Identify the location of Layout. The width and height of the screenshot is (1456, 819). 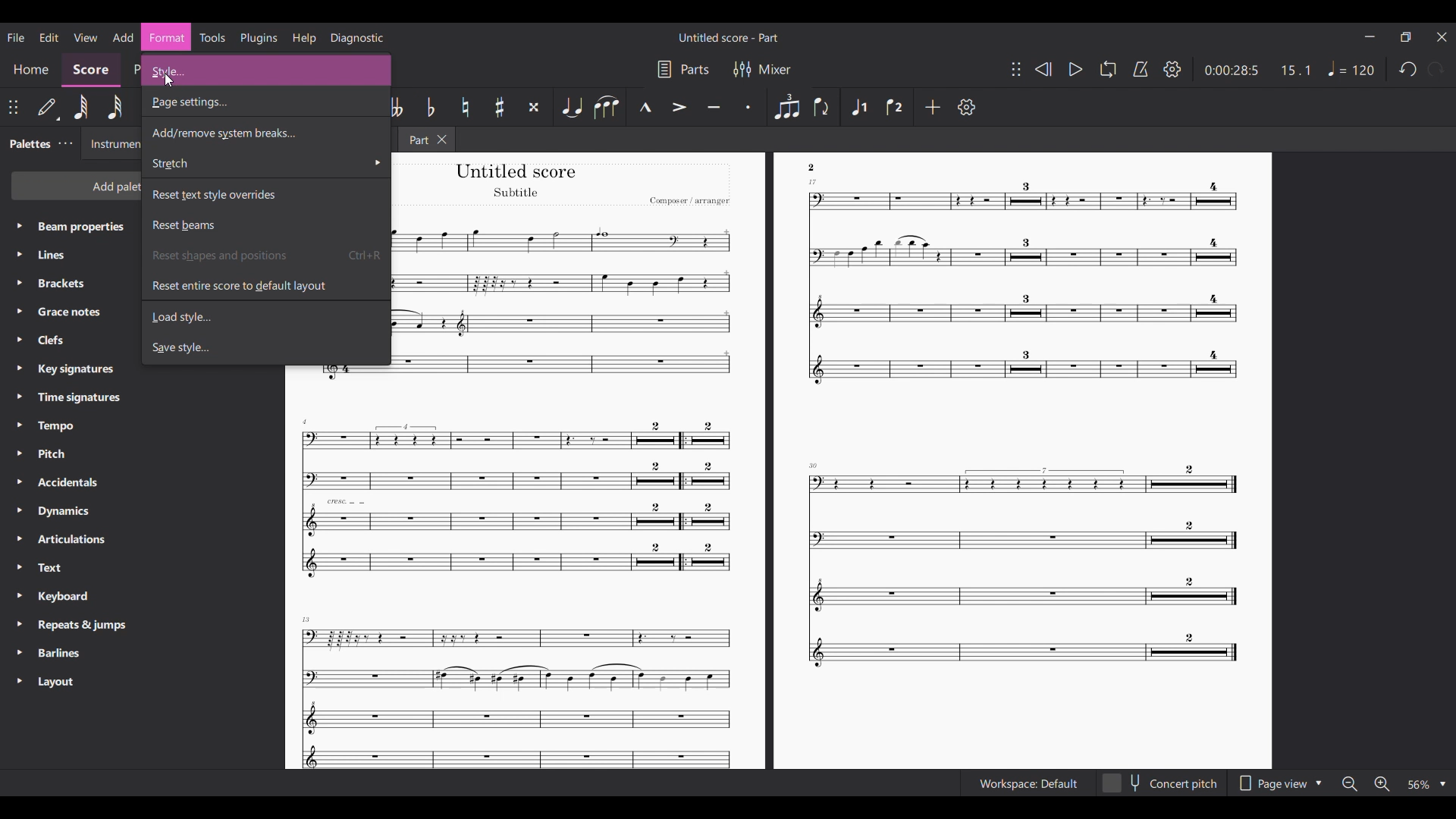
(54, 682).